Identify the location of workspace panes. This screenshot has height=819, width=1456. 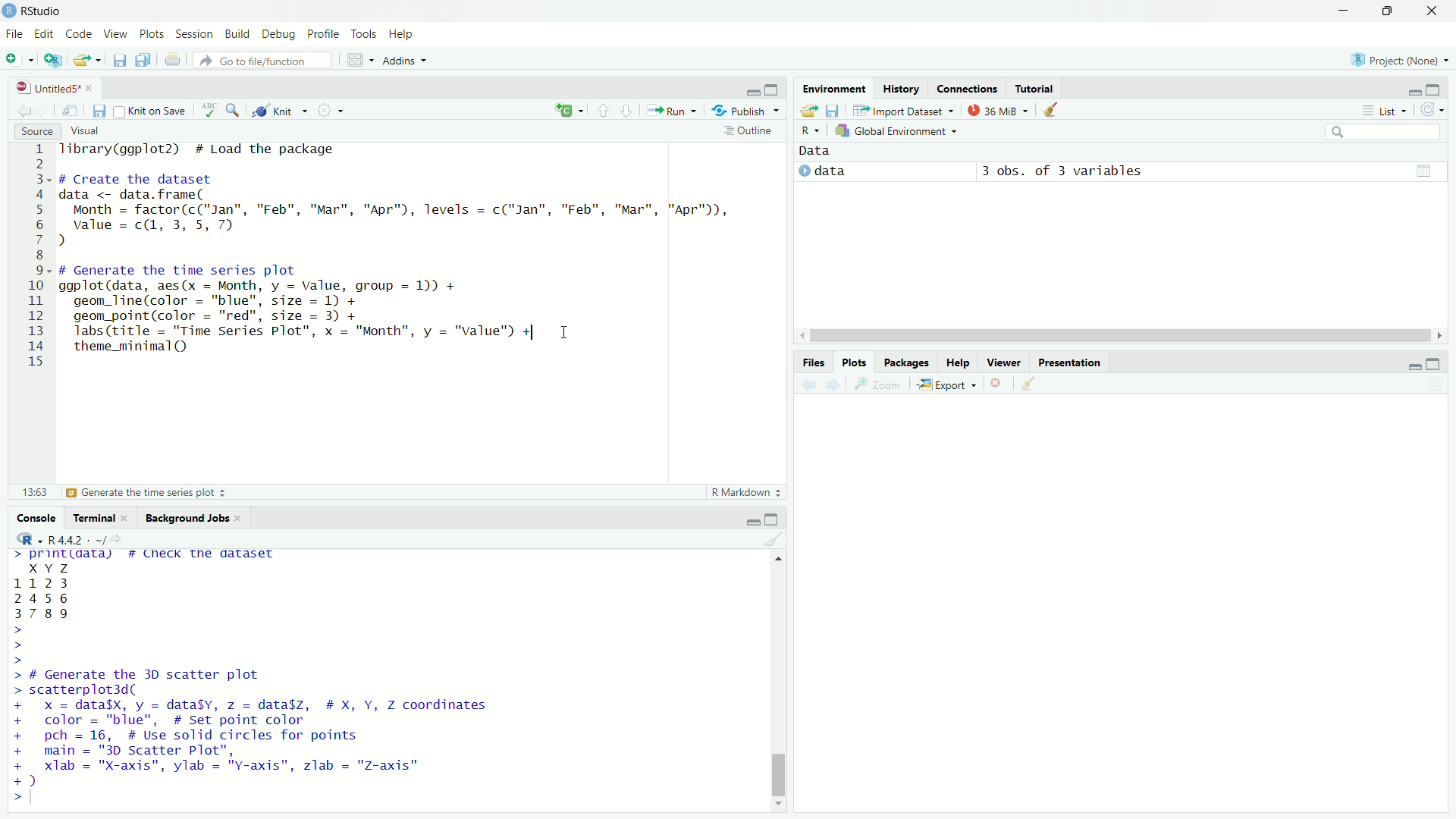
(359, 60).